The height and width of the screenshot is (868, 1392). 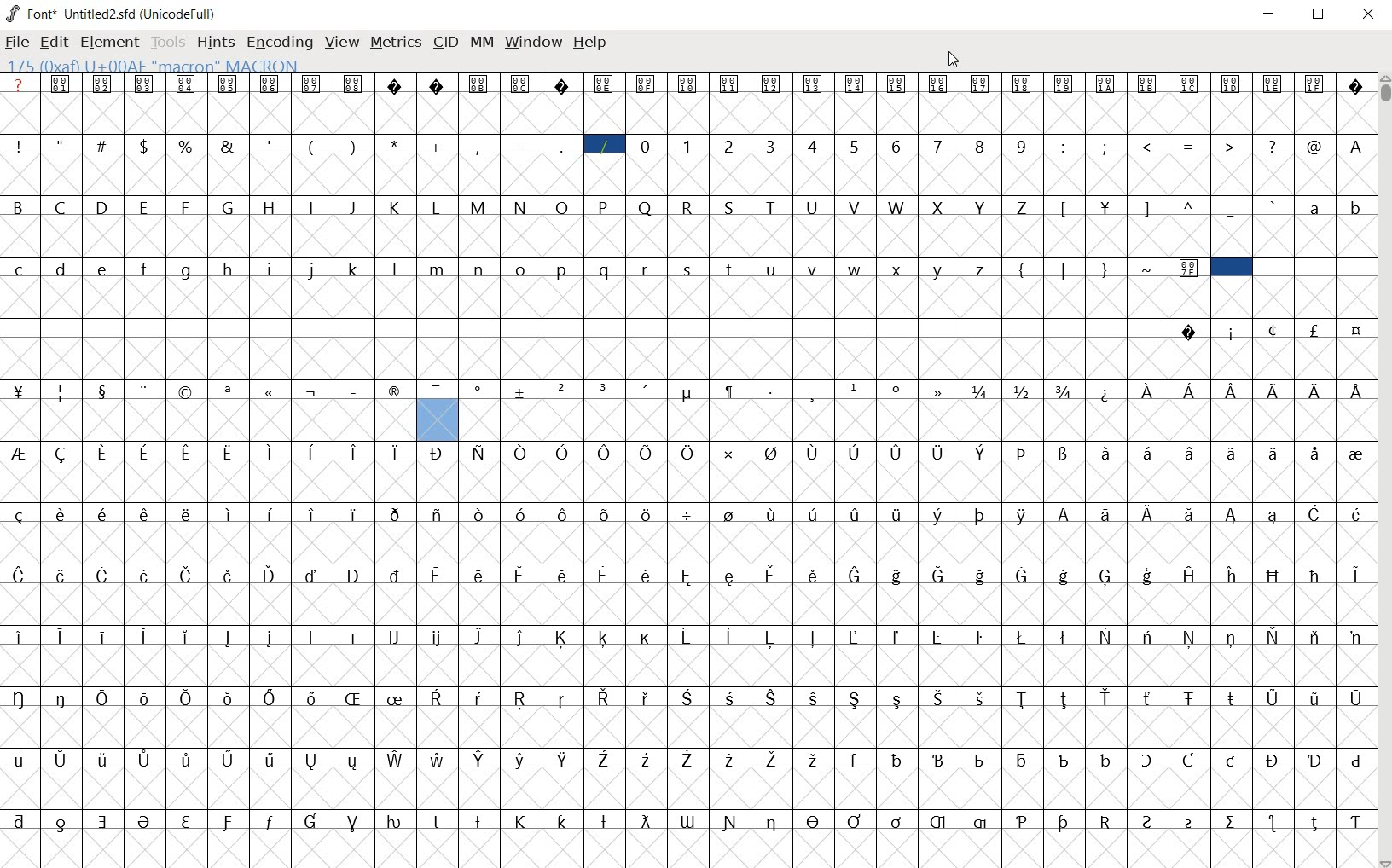 I want to click on Symbol, so click(x=941, y=391).